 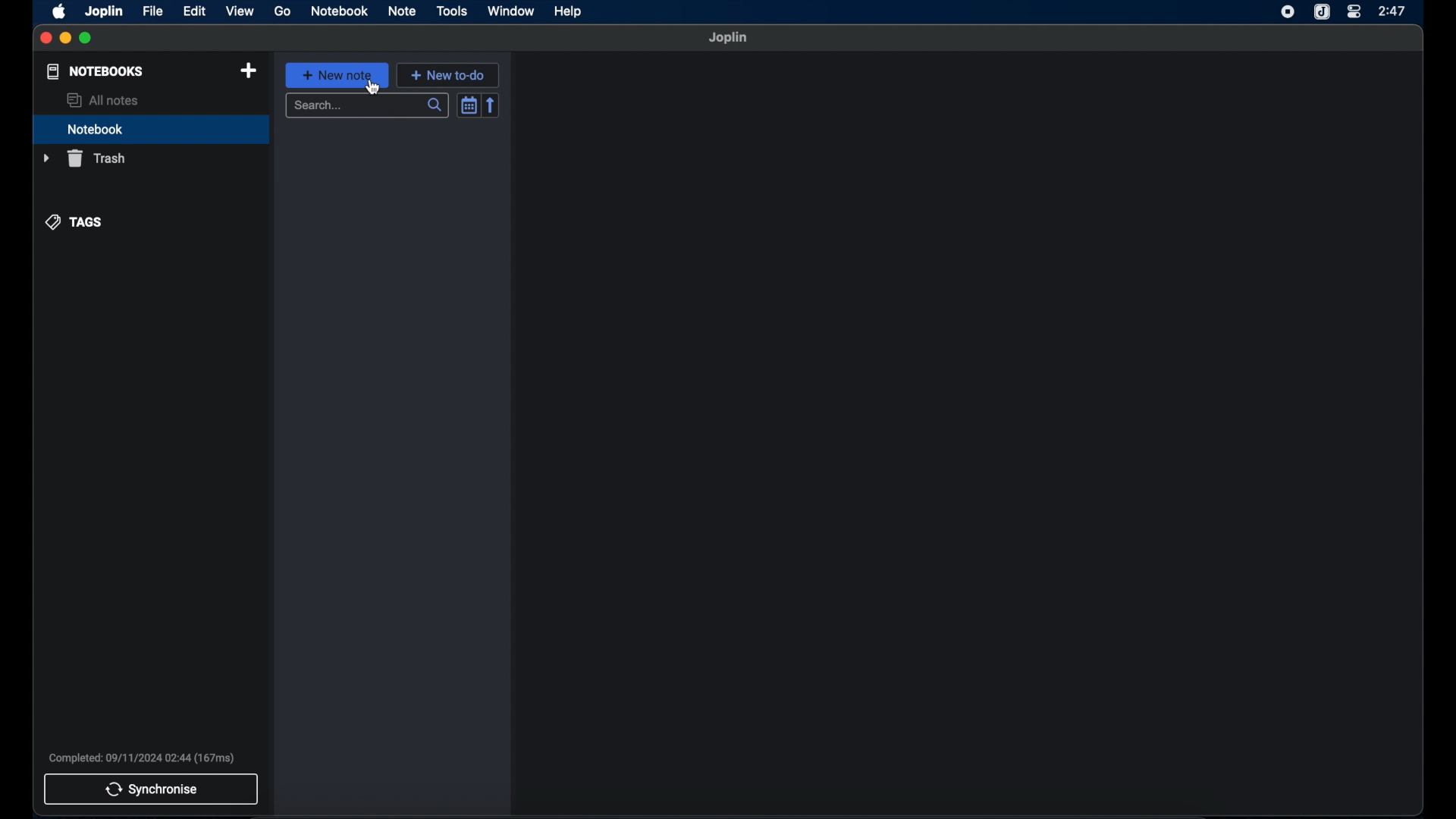 I want to click on screen recorder icon, so click(x=1288, y=11).